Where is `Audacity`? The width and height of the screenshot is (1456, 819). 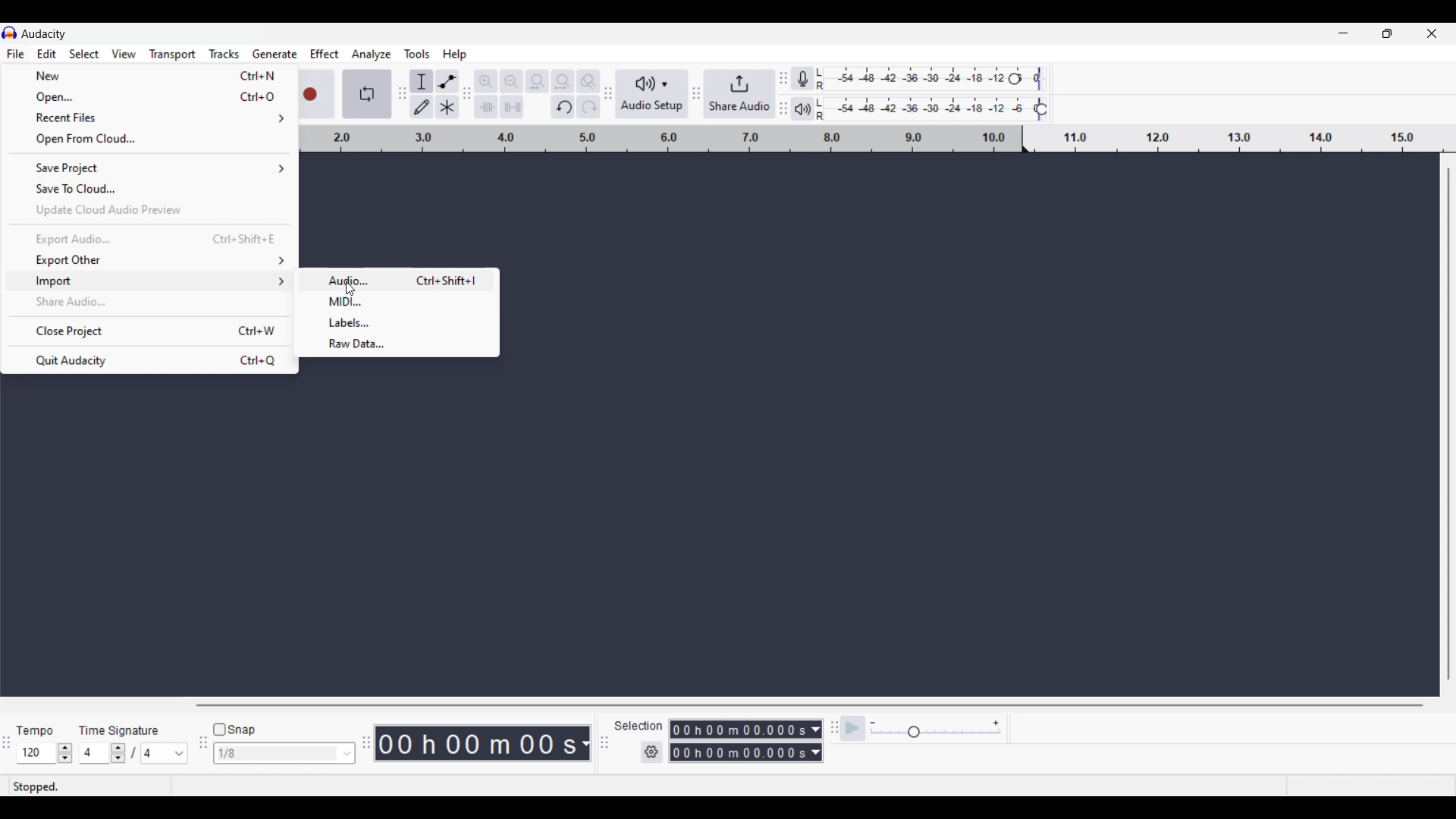 Audacity is located at coordinates (46, 33).